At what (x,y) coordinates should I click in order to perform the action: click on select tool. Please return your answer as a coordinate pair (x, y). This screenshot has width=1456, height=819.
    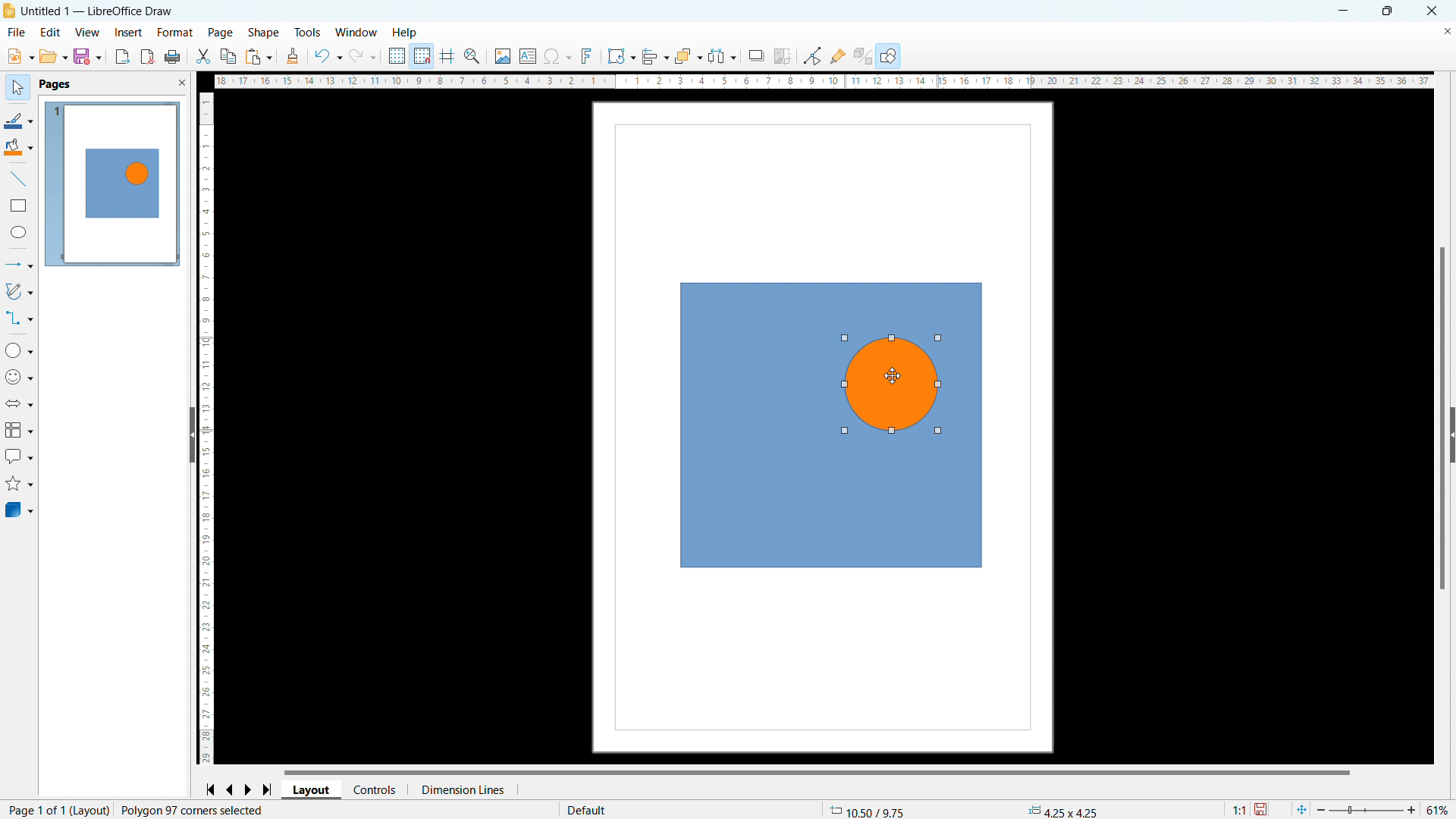
    Looking at the image, I should click on (17, 86).